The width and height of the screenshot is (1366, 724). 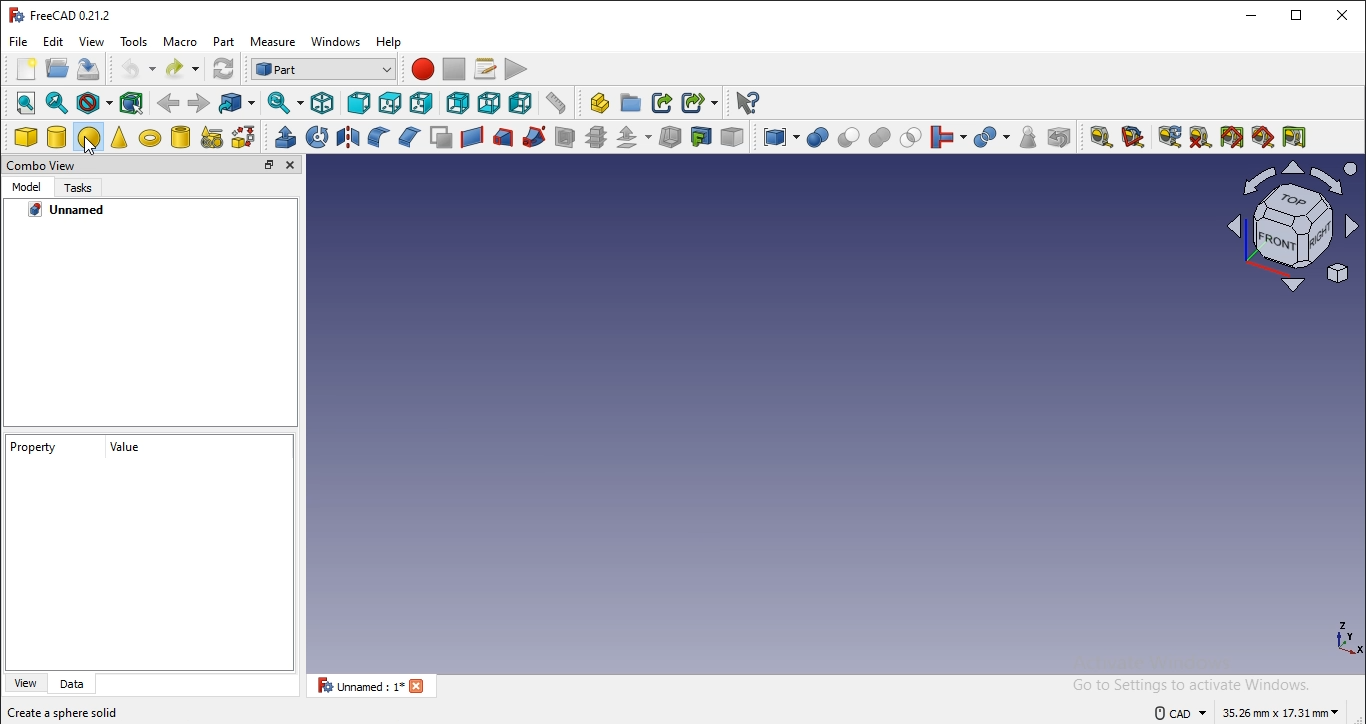 What do you see at coordinates (456, 103) in the screenshot?
I see `rear` at bounding box center [456, 103].